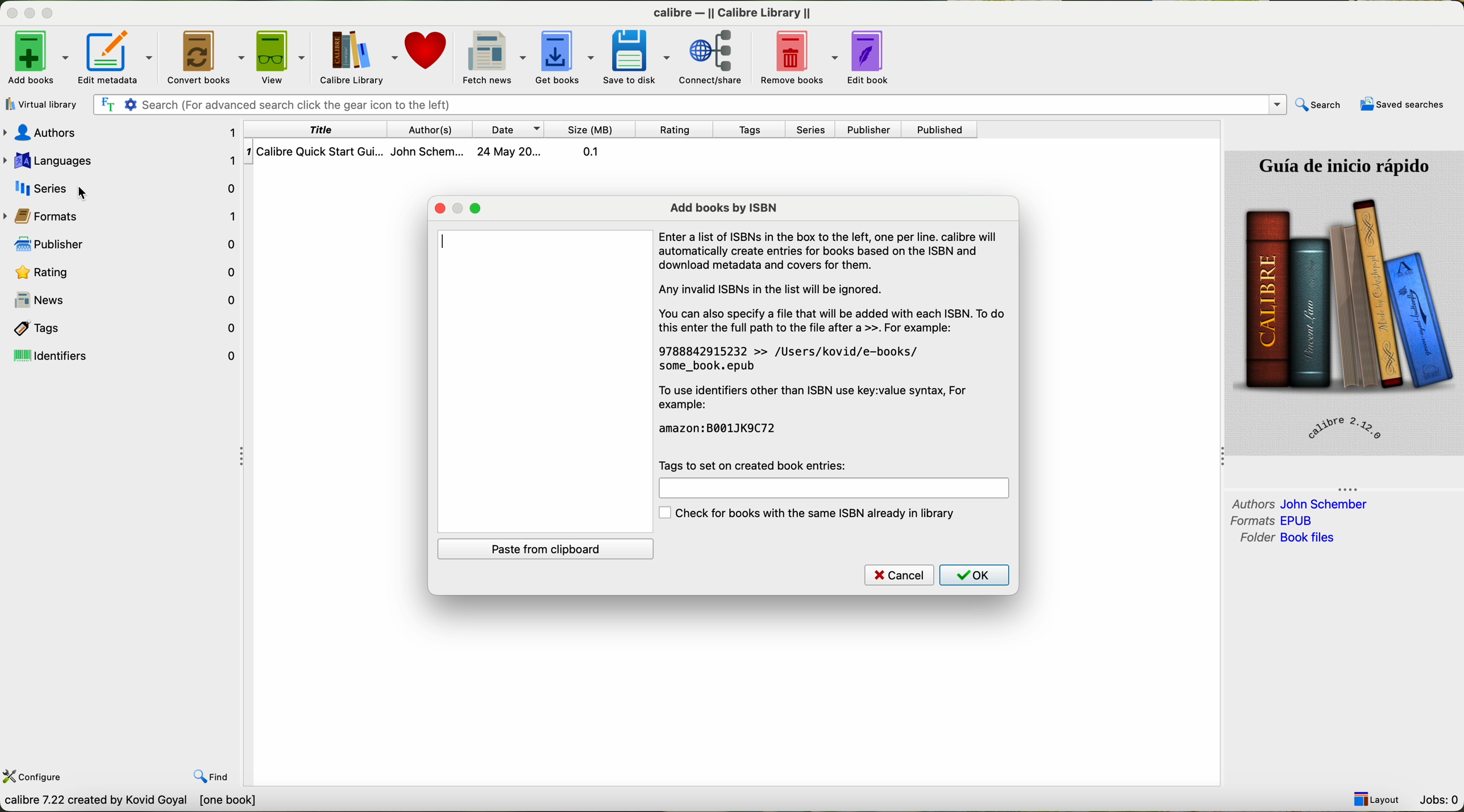 The width and height of the screenshot is (1464, 812). Describe the element at coordinates (550, 549) in the screenshot. I see `paste from clipboard` at that location.